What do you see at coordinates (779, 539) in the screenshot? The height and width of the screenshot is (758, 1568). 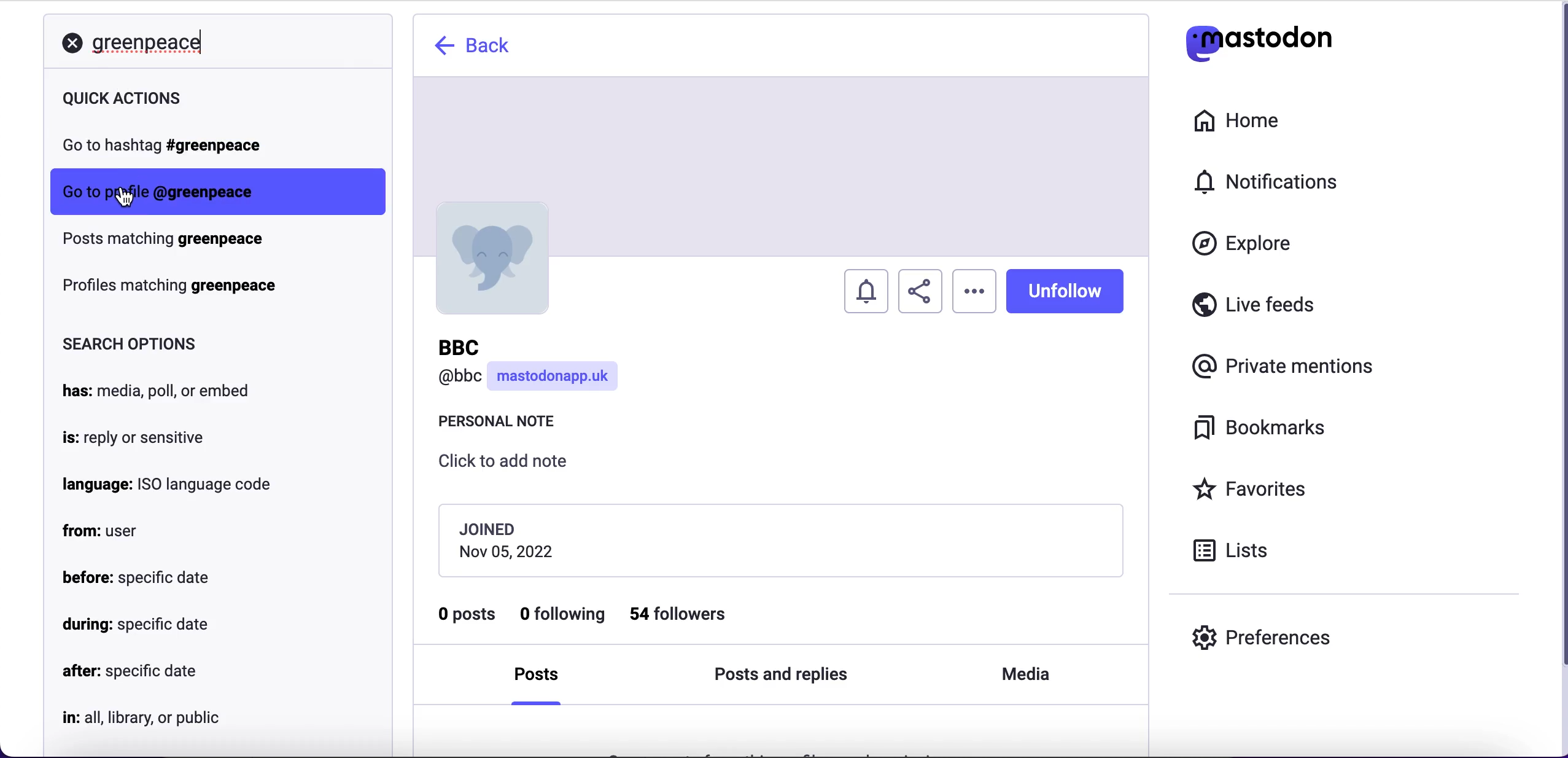 I see `joining date` at bounding box center [779, 539].